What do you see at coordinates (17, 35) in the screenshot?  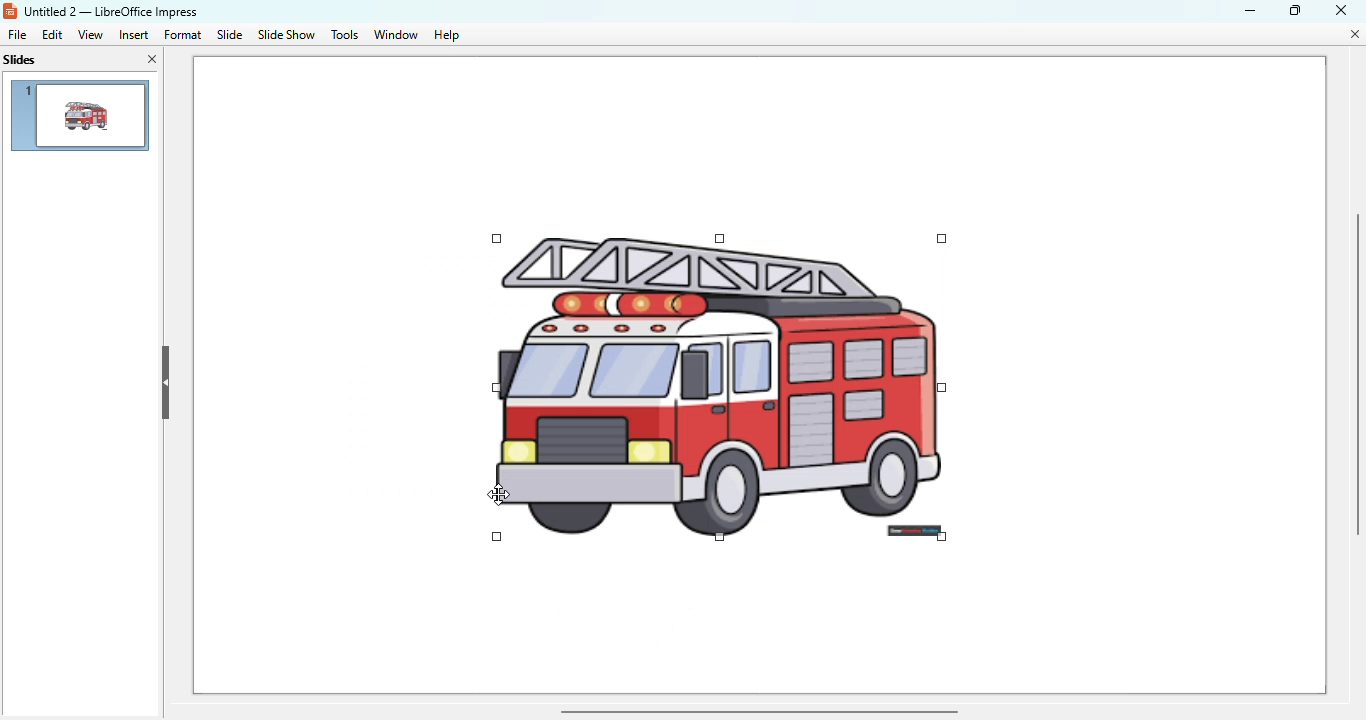 I see `file` at bounding box center [17, 35].